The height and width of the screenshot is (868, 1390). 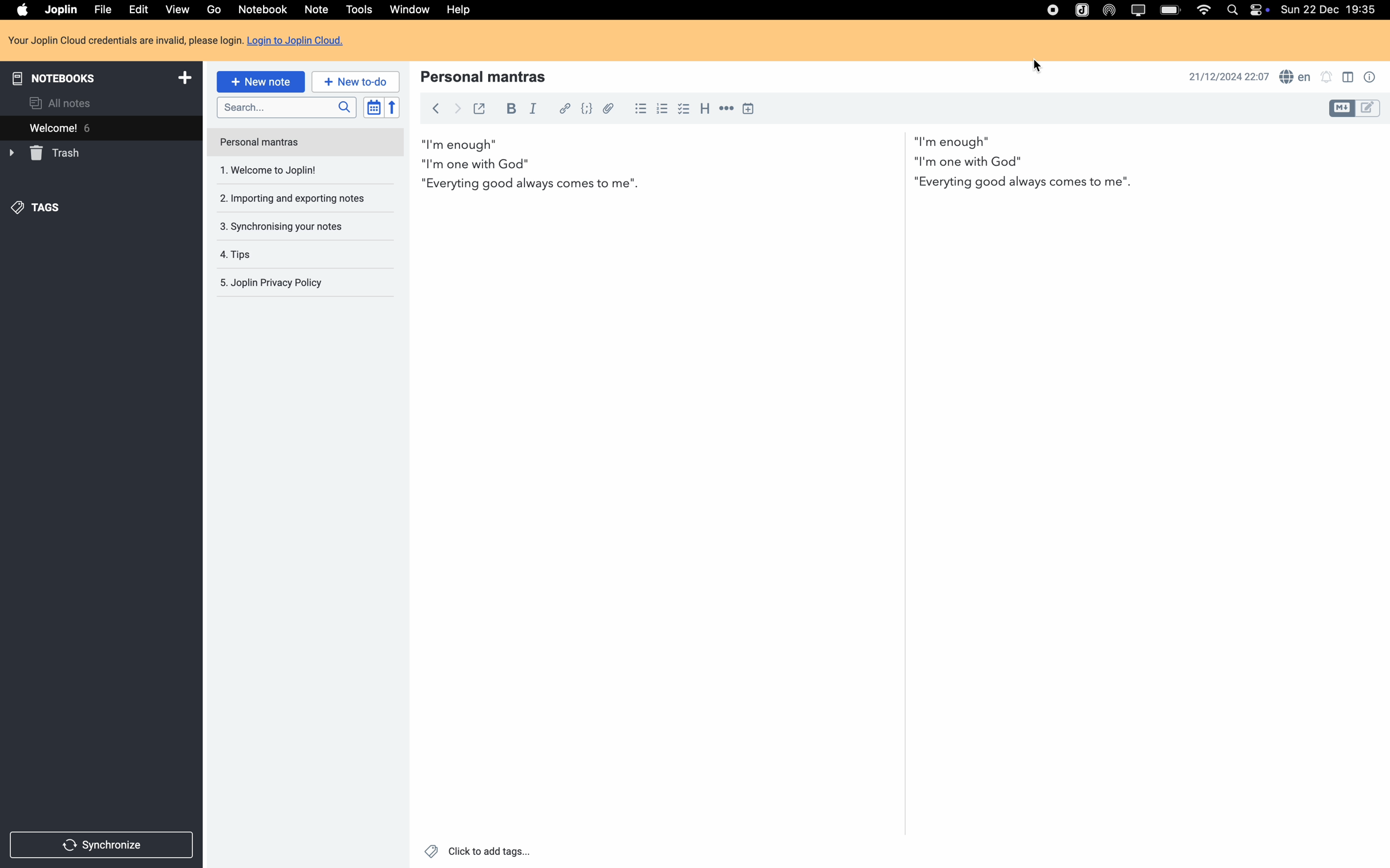 I want to click on title, so click(x=490, y=75).